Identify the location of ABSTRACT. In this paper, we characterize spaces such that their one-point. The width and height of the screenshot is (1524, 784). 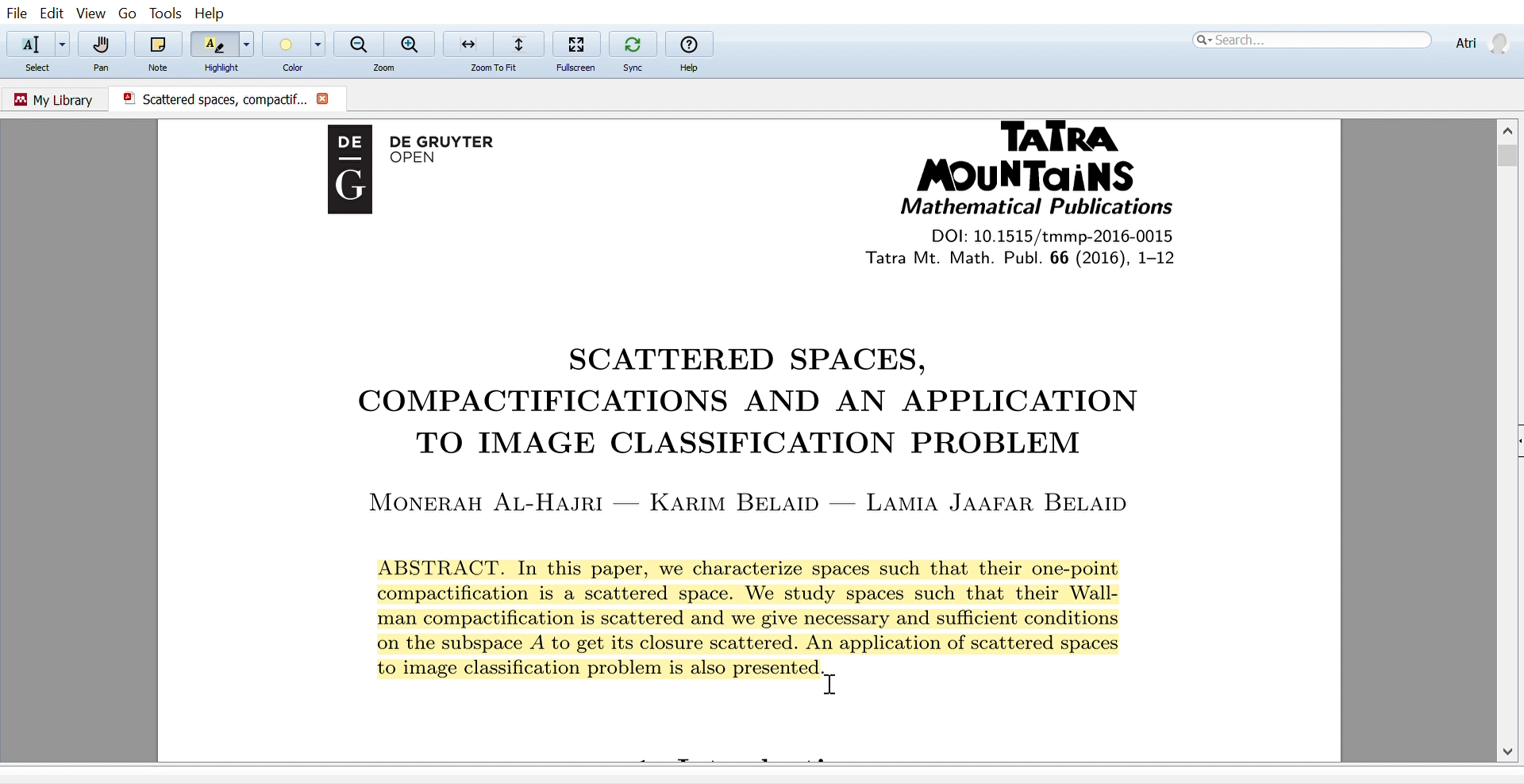
(777, 564).